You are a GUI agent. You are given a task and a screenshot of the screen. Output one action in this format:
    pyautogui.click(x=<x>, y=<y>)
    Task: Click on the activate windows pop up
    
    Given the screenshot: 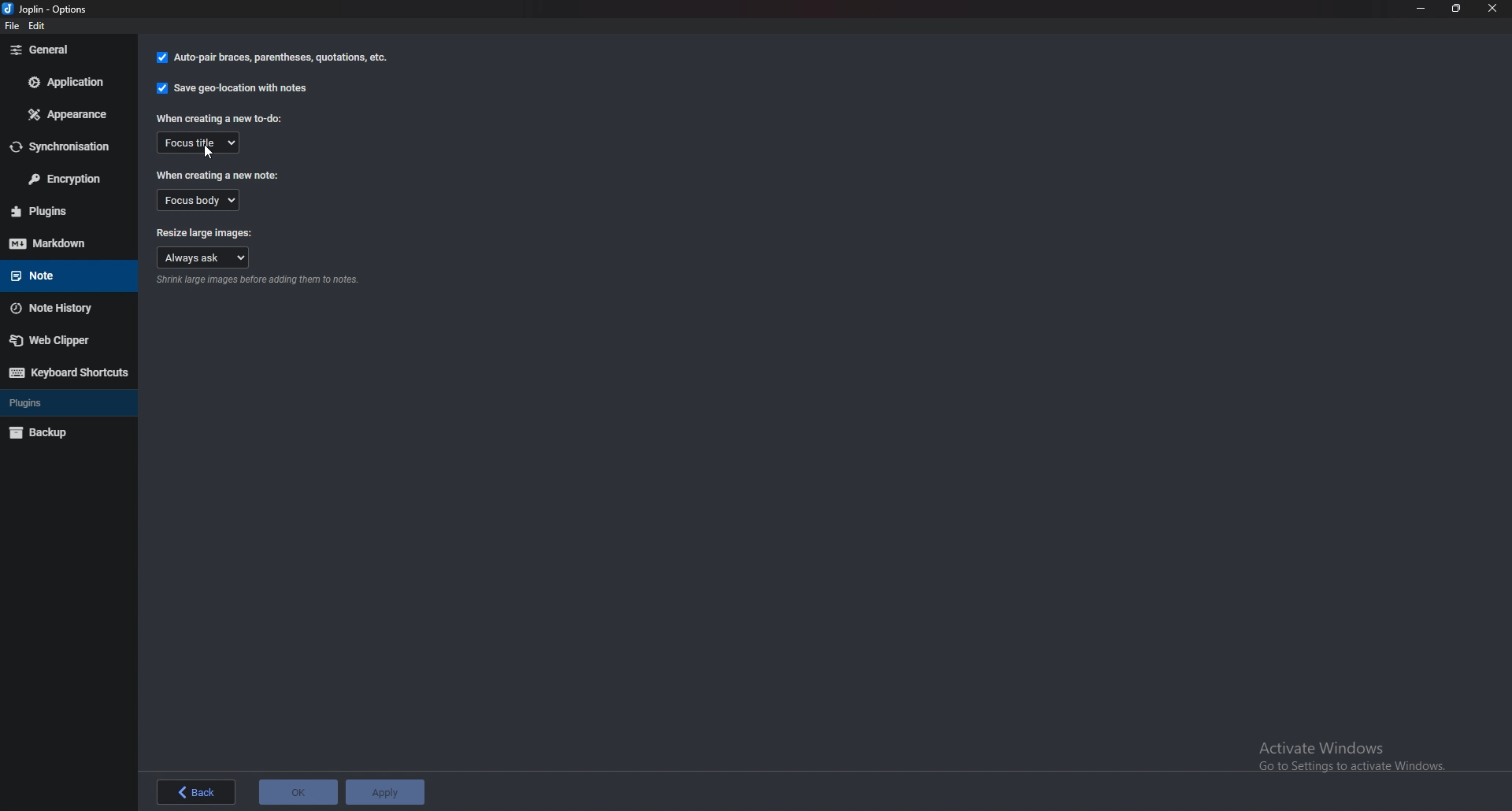 What is the action you would take?
    pyautogui.click(x=1351, y=757)
    